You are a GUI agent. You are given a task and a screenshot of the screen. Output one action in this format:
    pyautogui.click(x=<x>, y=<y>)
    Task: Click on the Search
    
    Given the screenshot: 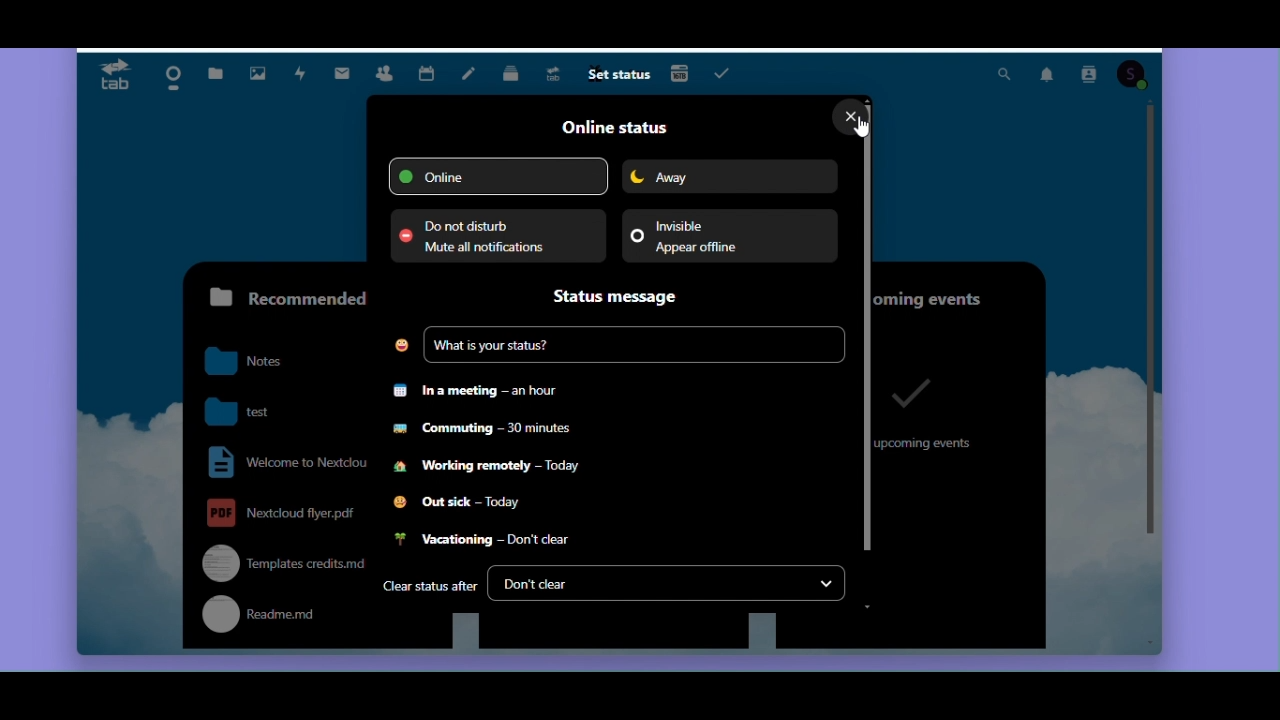 What is the action you would take?
    pyautogui.click(x=1003, y=75)
    